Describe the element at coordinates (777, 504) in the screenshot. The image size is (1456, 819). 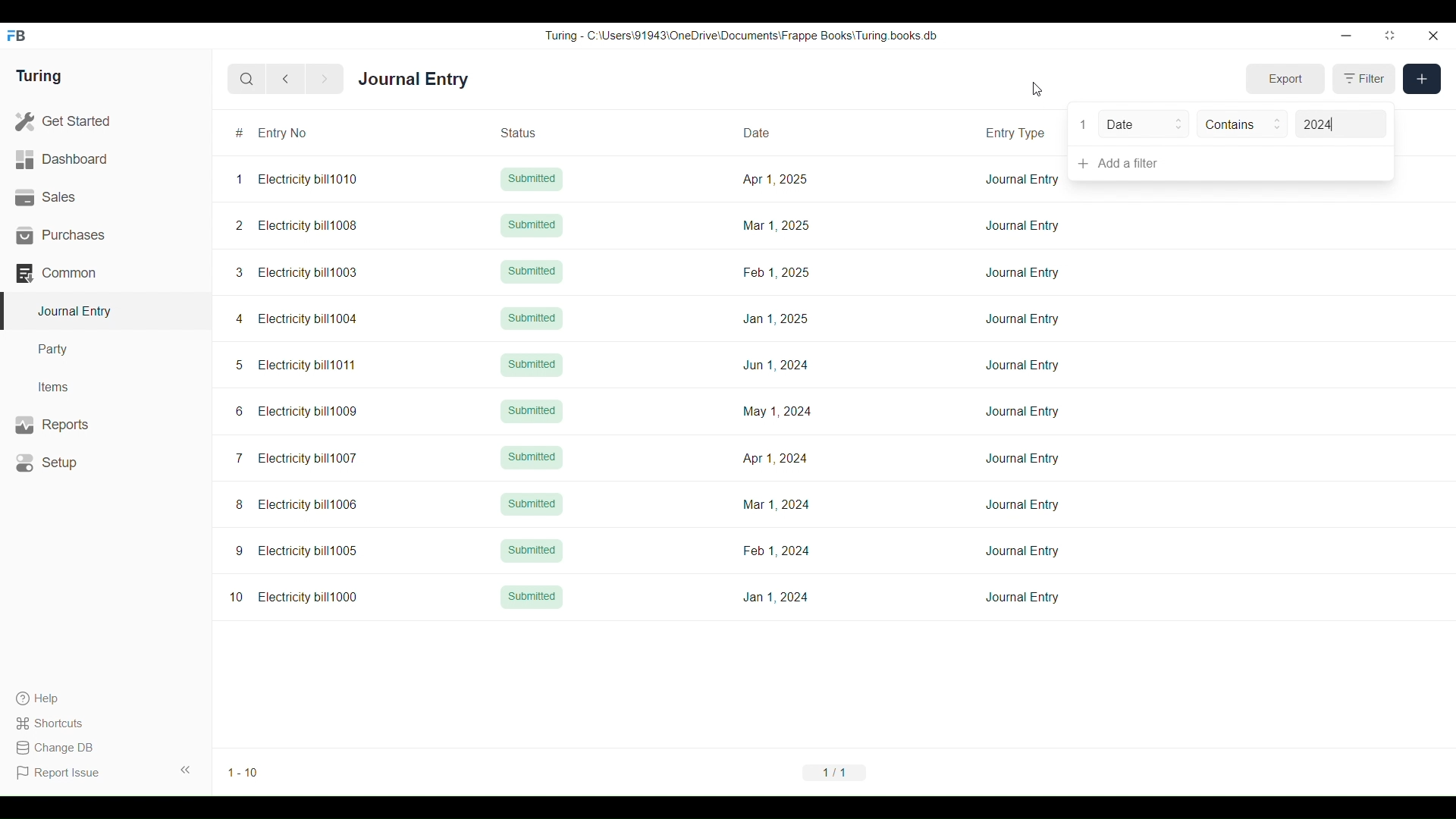
I see `Mar 1, 2024` at that location.